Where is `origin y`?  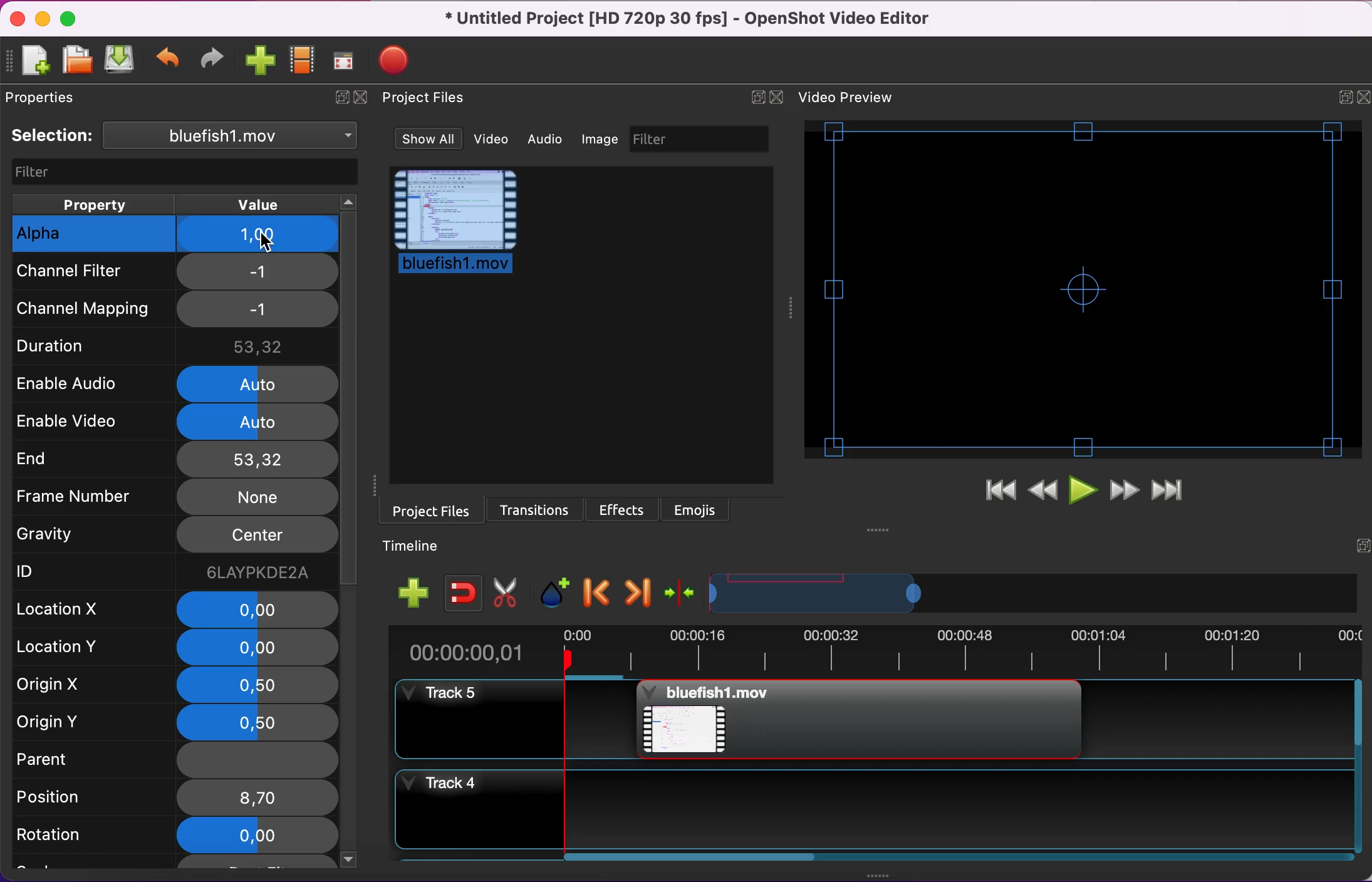
origin y is located at coordinates (71, 723).